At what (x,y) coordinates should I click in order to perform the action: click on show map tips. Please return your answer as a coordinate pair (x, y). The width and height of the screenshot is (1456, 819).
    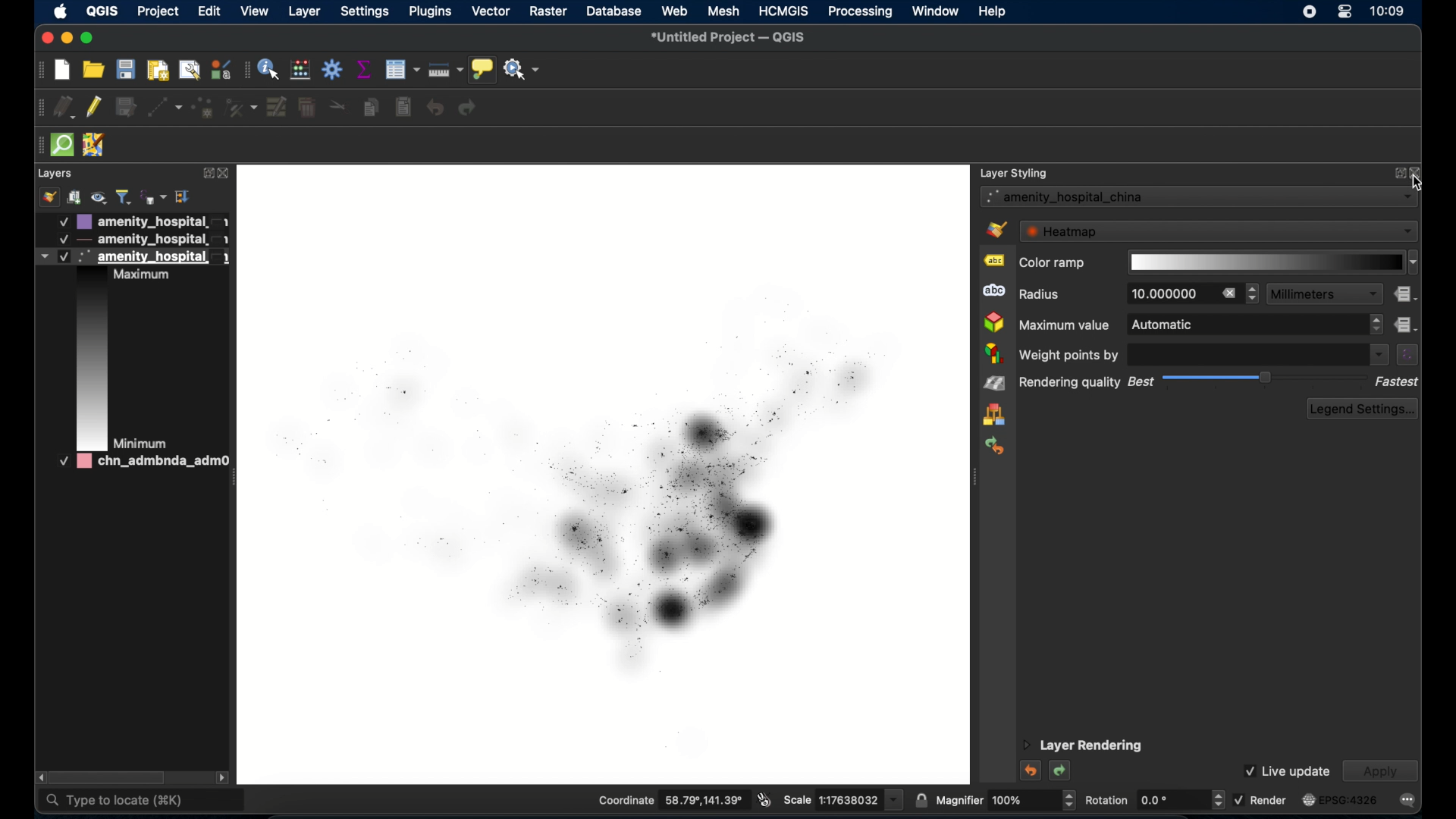
    Looking at the image, I should click on (482, 68).